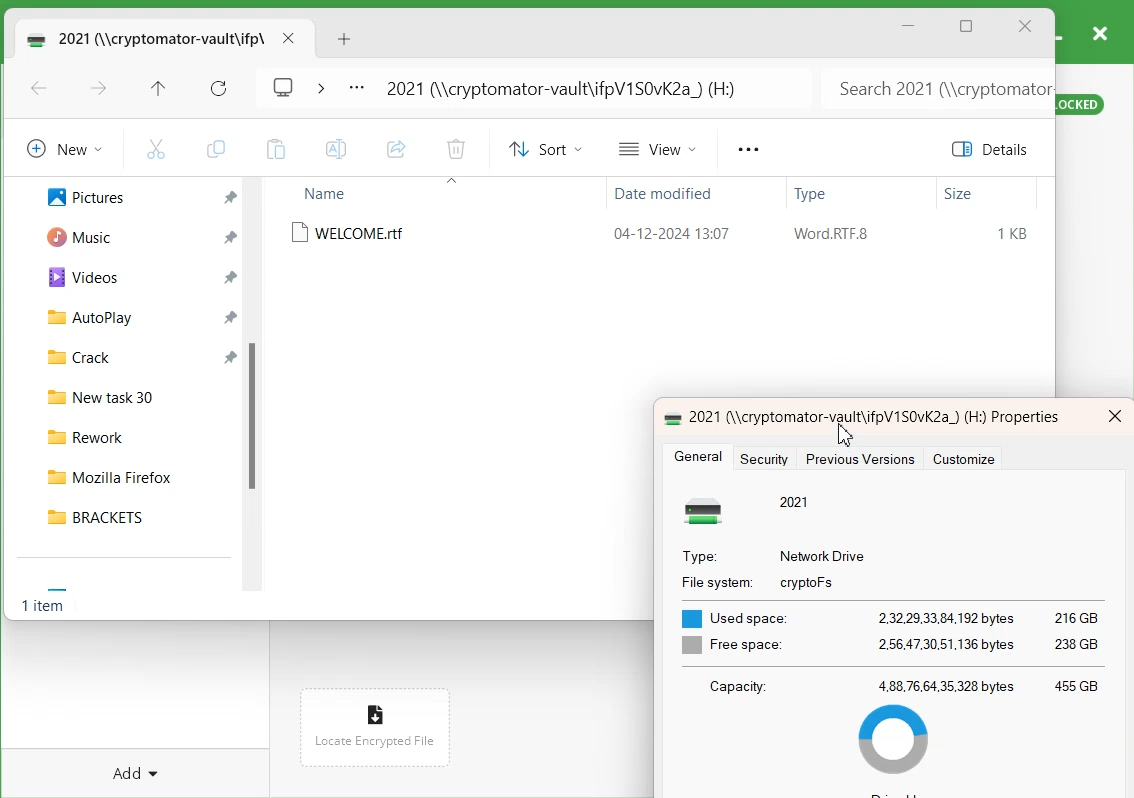 The width and height of the screenshot is (1134, 798). What do you see at coordinates (46, 608) in the screenshot?
I see `Text` at bounding box center [46, 608].